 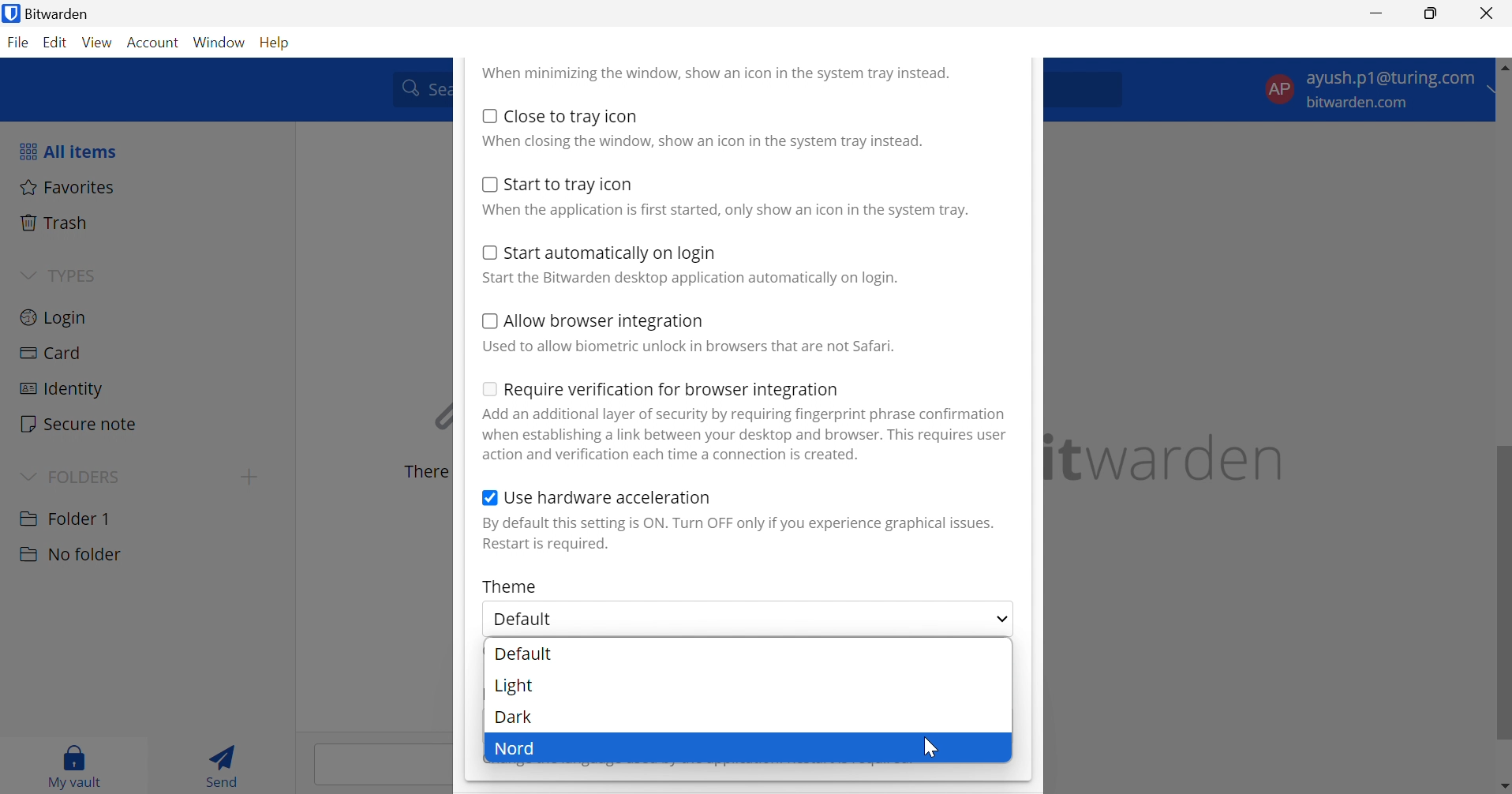 What do you see at coordinates (1377, 12) in the screenshot?
I see `Minimize` at bounding box center [1377, 12].